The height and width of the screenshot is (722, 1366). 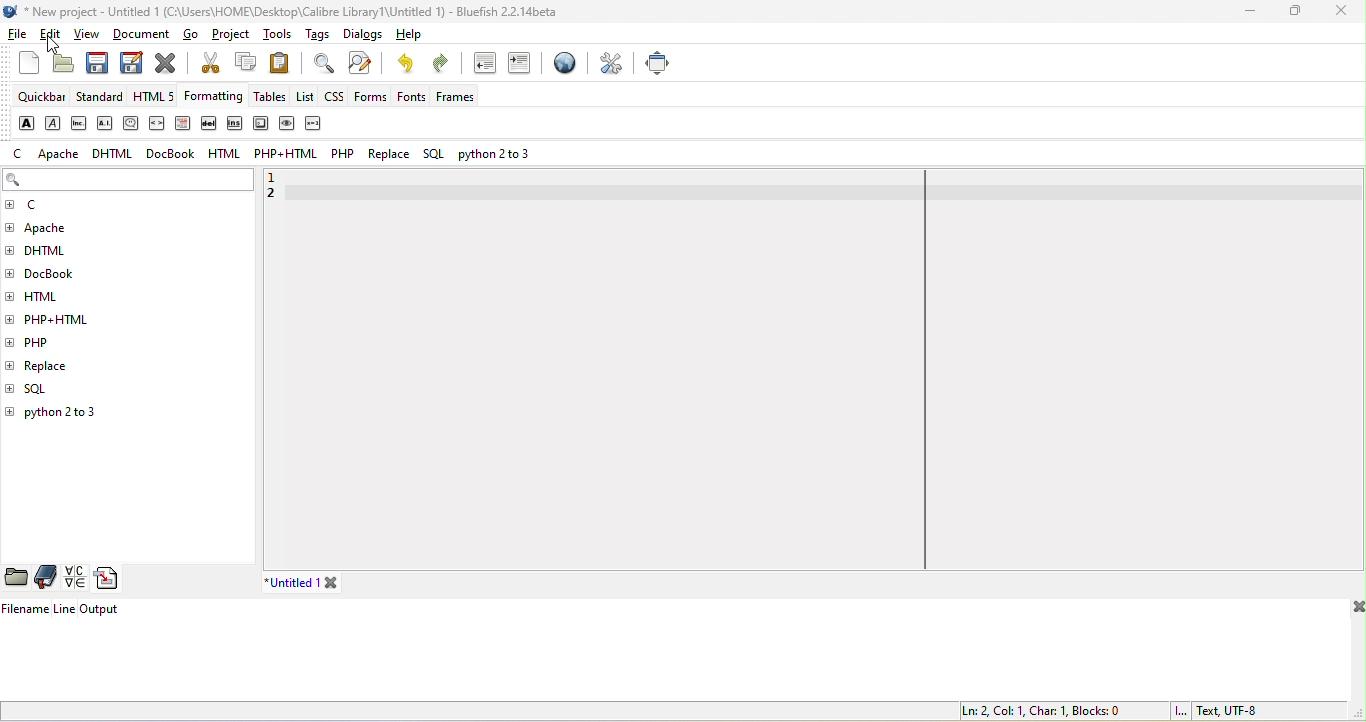 I want to click on html, so click(x=222, y=153).